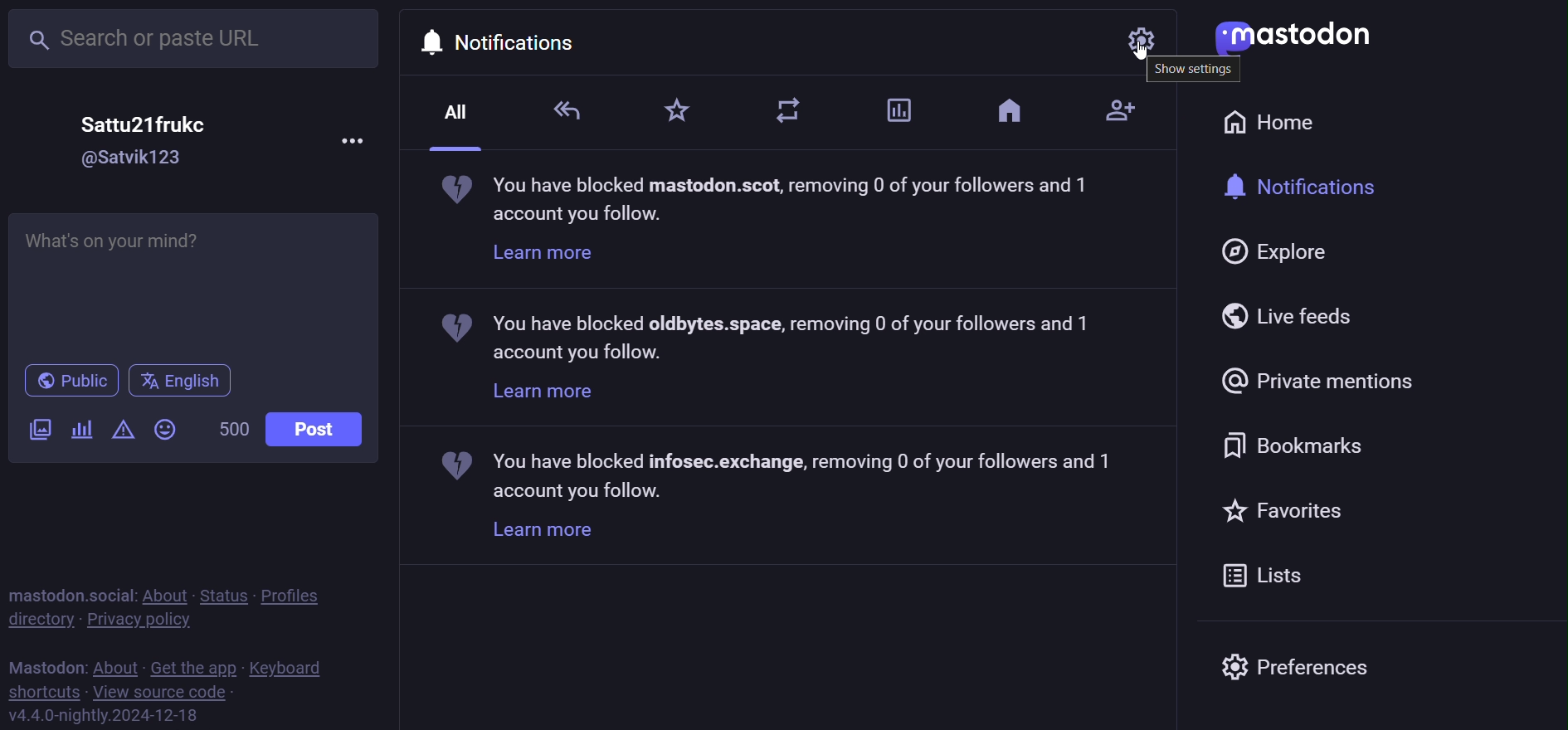  I want to click on profiles, so click(304, 591).